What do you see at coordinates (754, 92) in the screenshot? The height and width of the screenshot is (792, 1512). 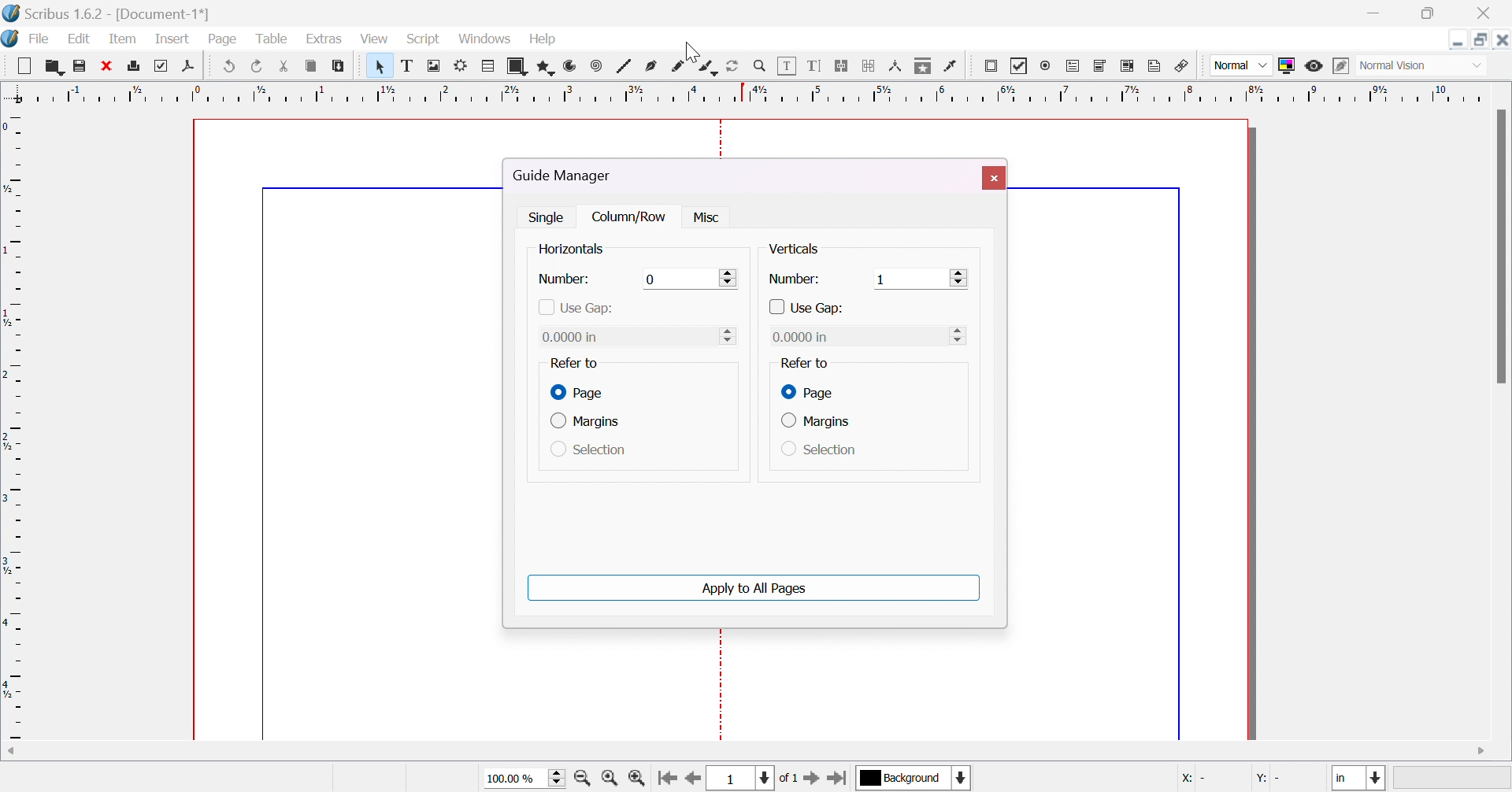 I see `ruler` at bounding box center [754, 92].